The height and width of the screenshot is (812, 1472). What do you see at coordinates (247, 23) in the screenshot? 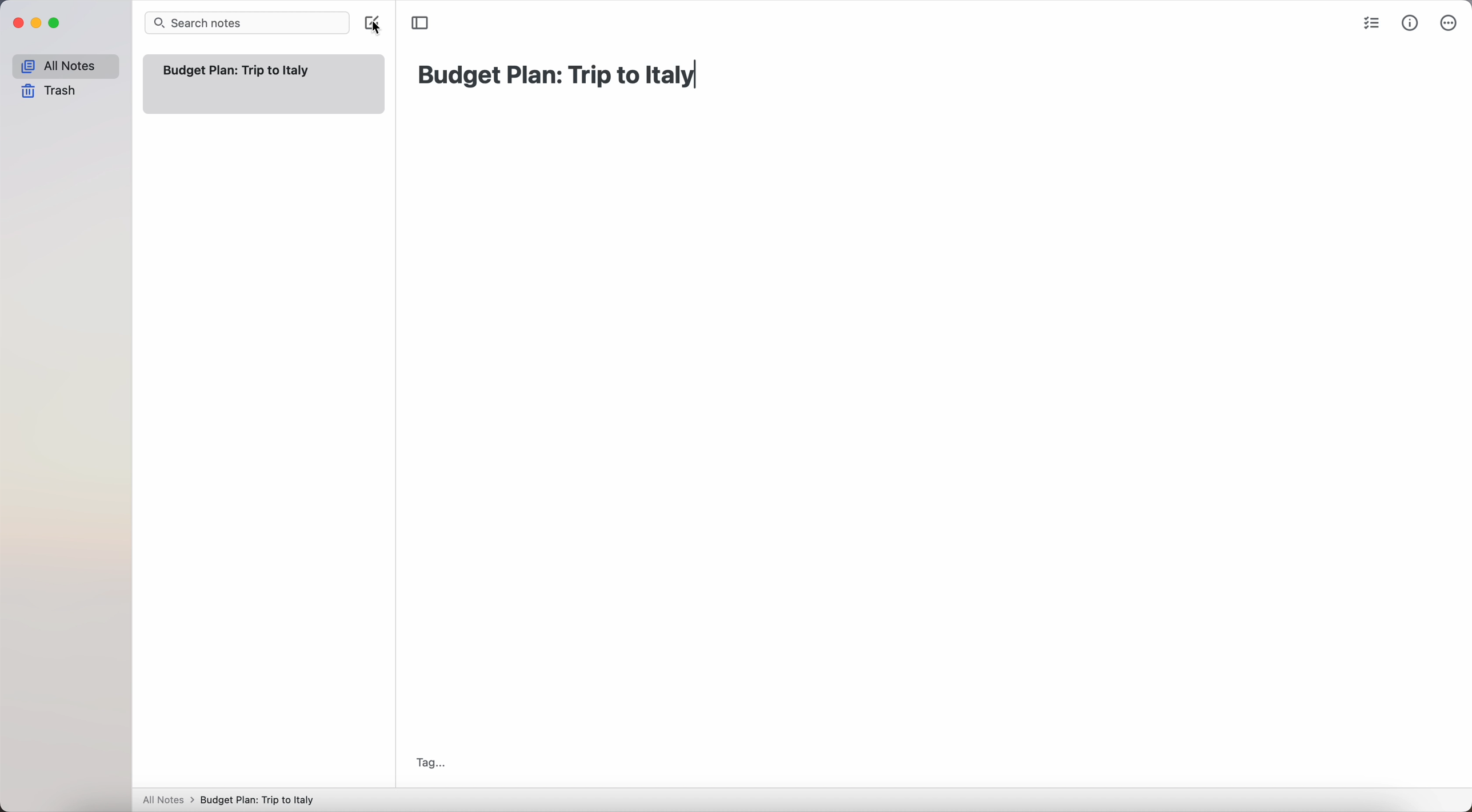
I see `search bar` at bounding box center [247, 23].